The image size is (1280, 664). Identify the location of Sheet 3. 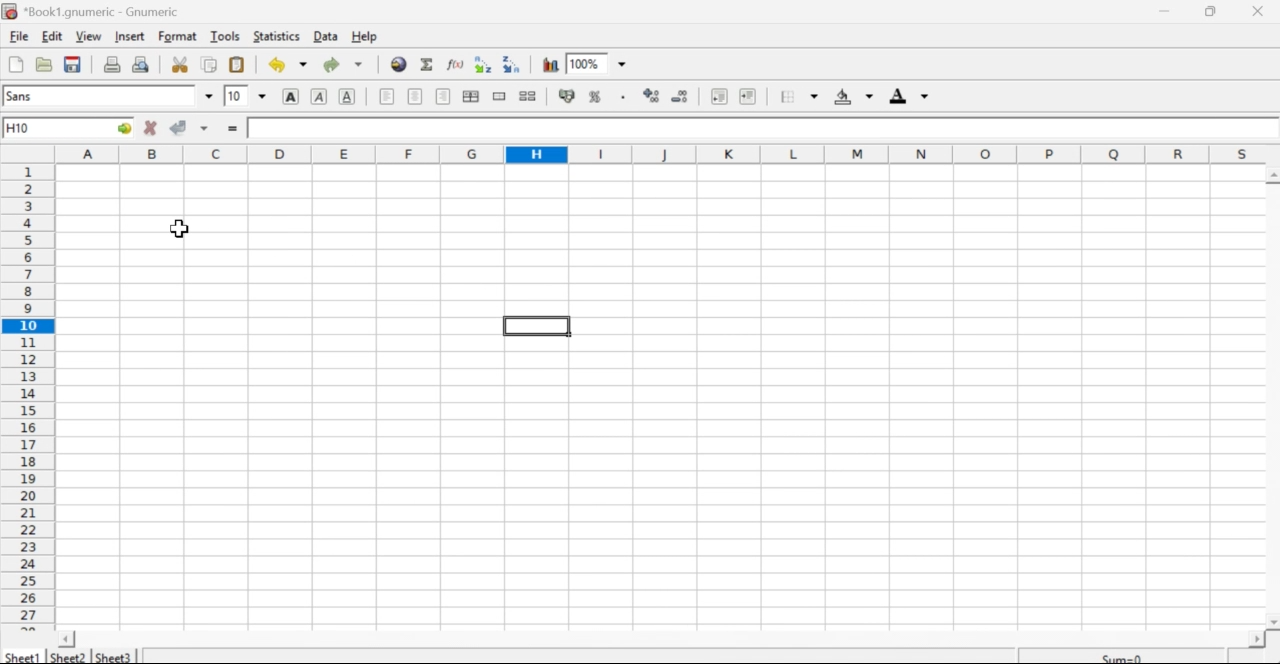
(114, 655).